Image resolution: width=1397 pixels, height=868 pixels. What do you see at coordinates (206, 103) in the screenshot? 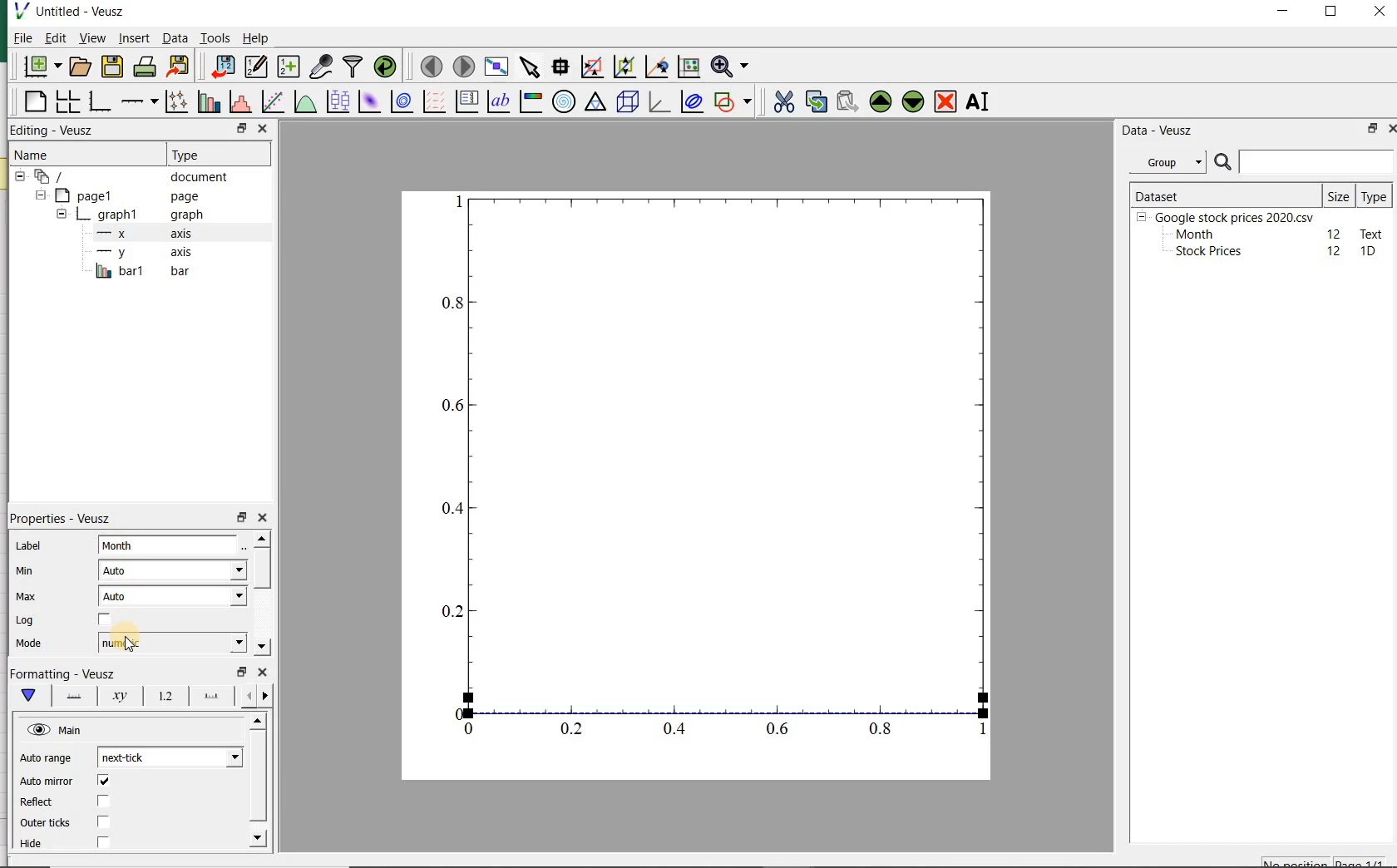
I see `plot bar charts` at bounding box center [206, 103].